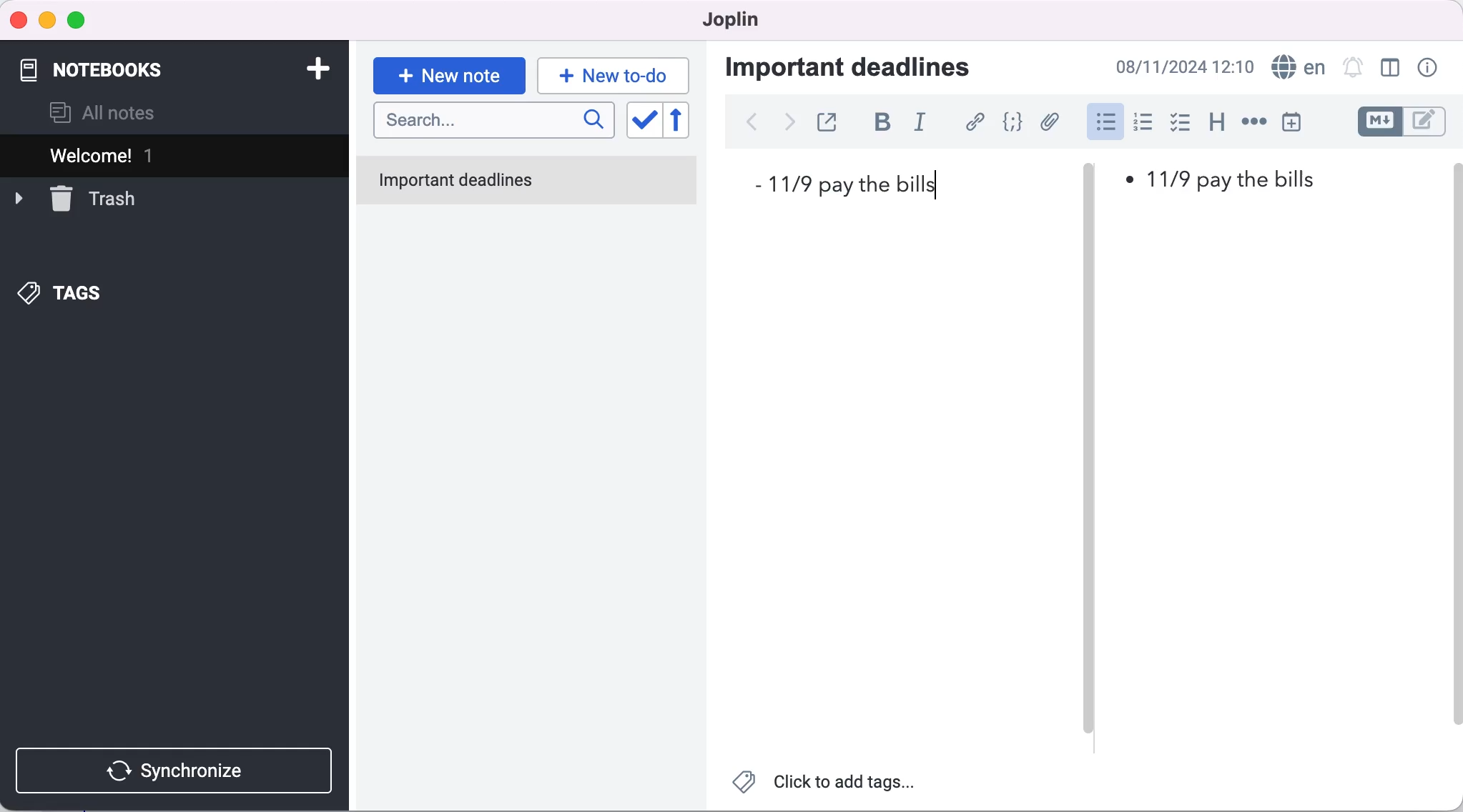  Describe the element at coordinates (829, 784) in the screenshot. I see `click to add tags` at that location.